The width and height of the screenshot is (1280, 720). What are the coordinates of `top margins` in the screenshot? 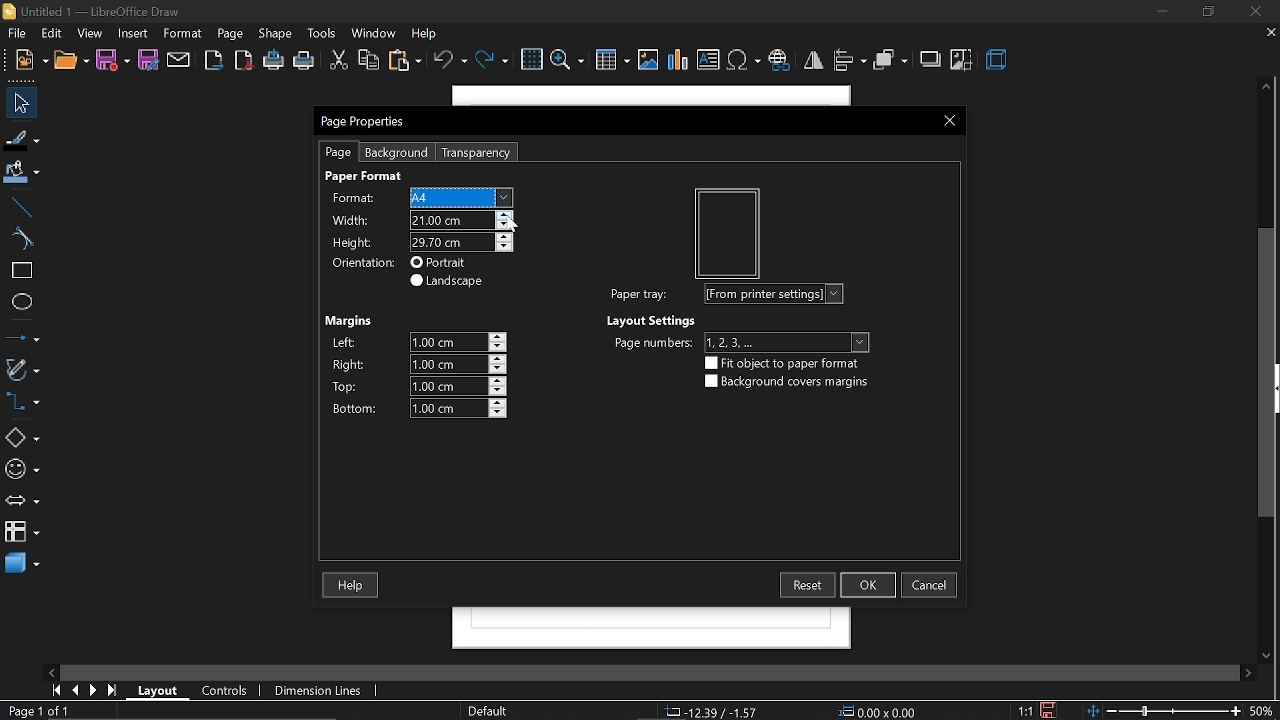 It's located at (350, 385).